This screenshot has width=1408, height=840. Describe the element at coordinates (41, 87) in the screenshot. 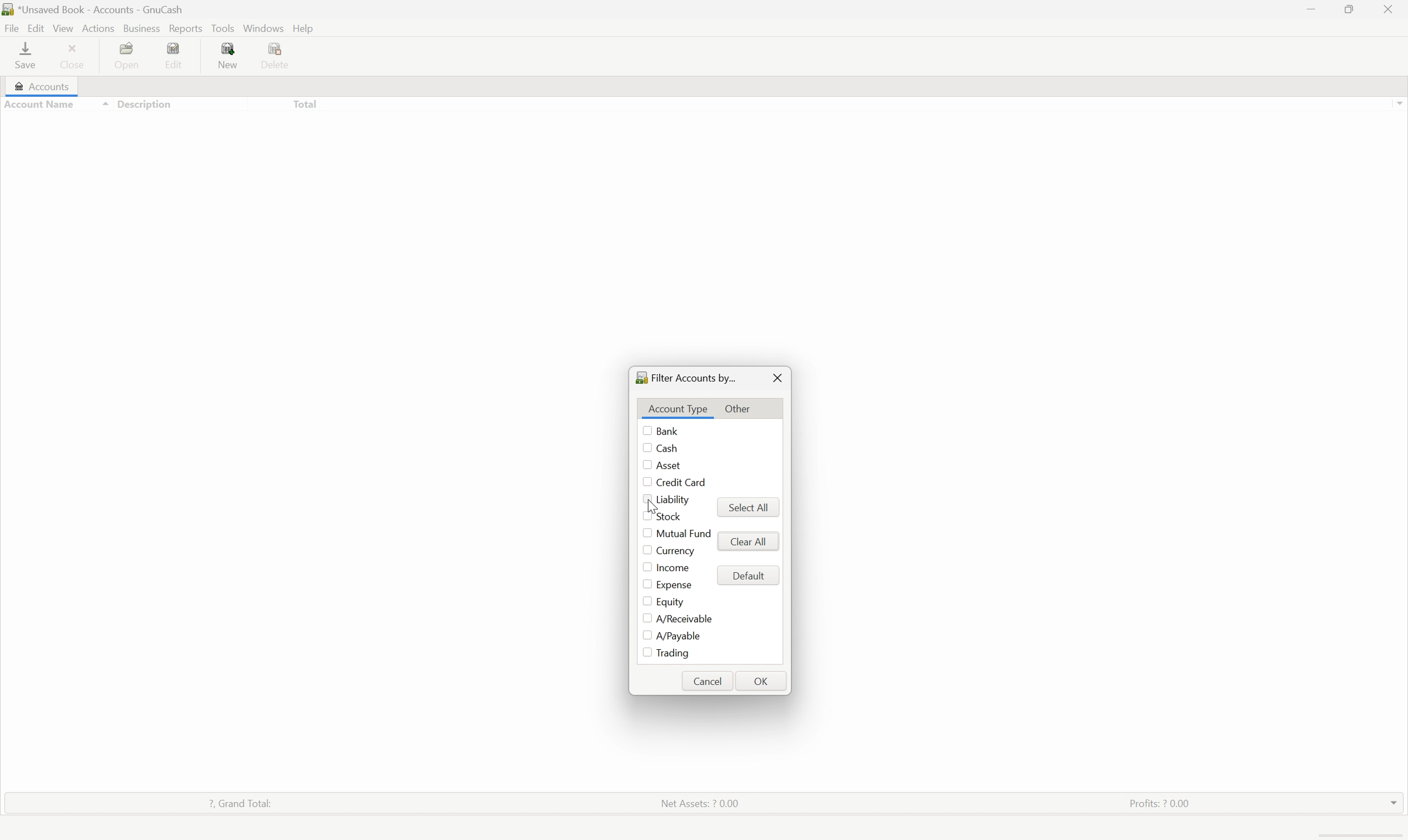

I see `Accounts` at that location.